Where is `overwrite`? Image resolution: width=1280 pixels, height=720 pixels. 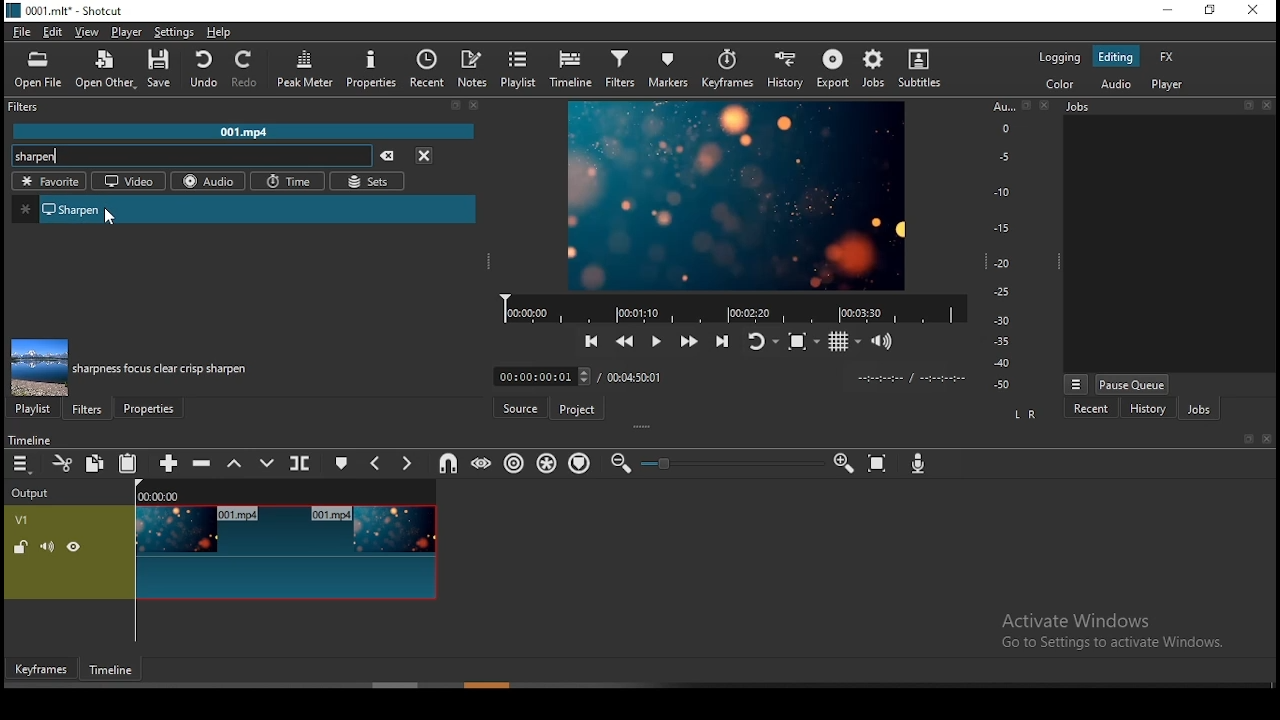
overwrite is located at coordinates (270, 462).